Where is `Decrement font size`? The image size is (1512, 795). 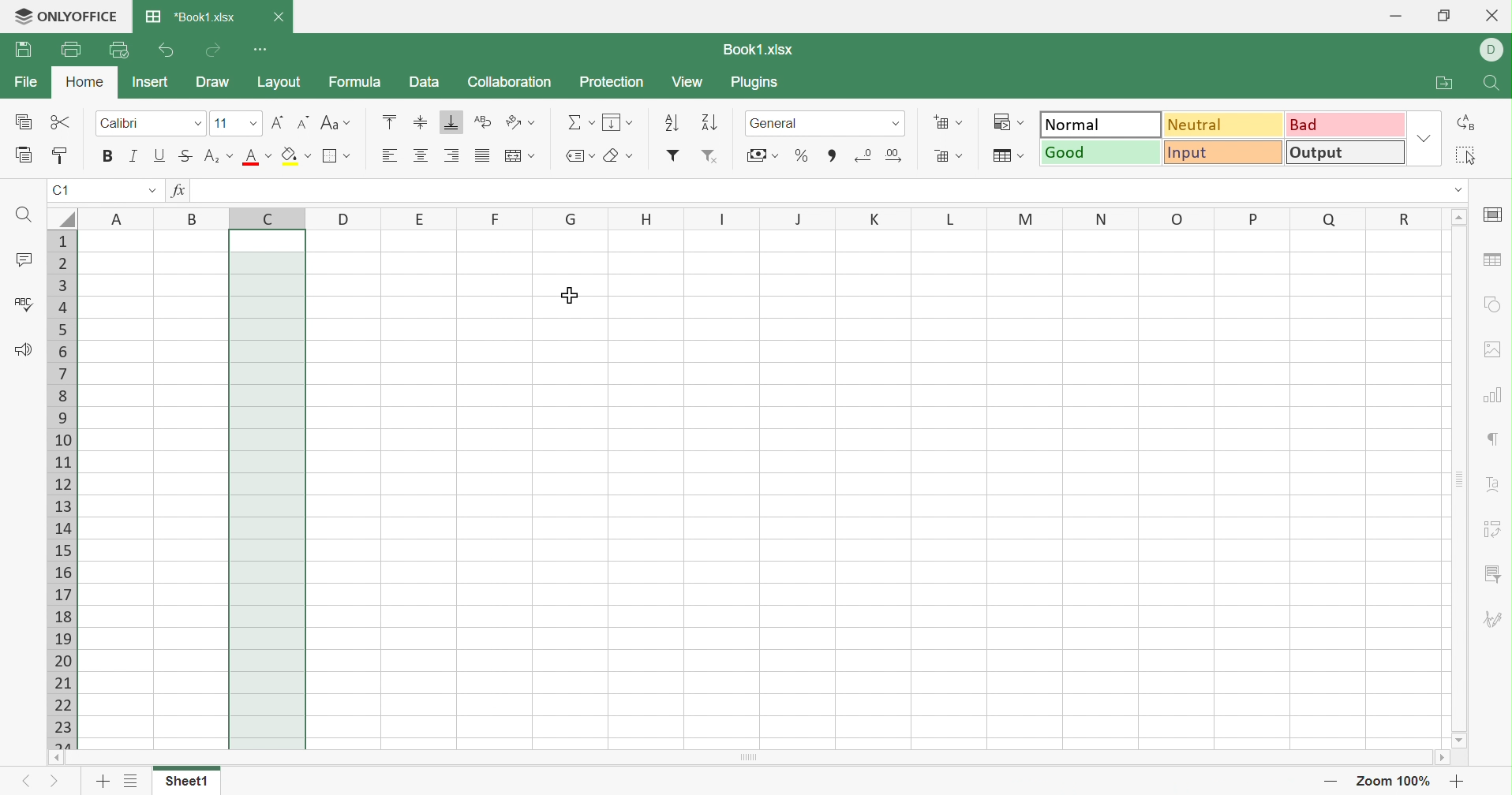 Decrement font size is located at coordinates (304, 121).